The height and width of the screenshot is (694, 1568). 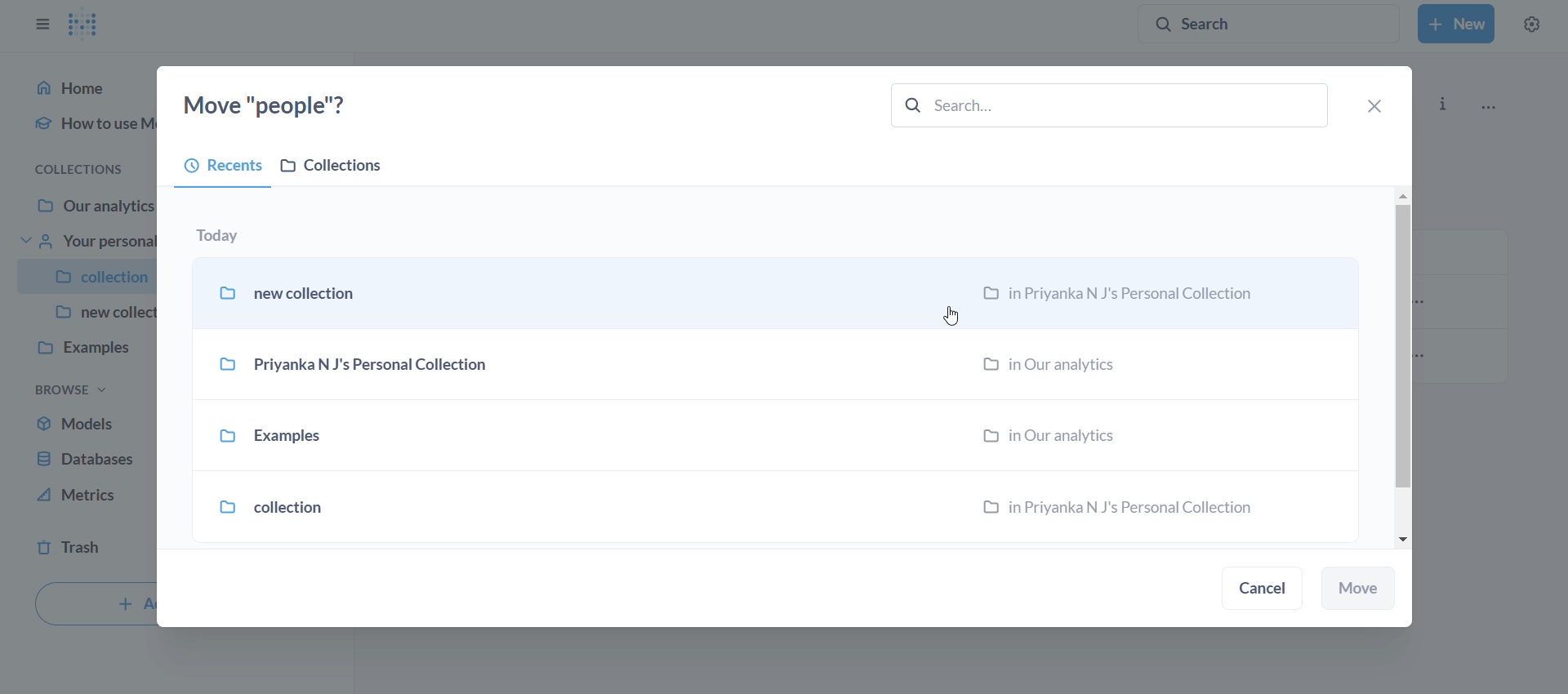 What do you see at coordinates (1360, 588) in the screenshot?
I see `move` at bounding box center [1360, 588].